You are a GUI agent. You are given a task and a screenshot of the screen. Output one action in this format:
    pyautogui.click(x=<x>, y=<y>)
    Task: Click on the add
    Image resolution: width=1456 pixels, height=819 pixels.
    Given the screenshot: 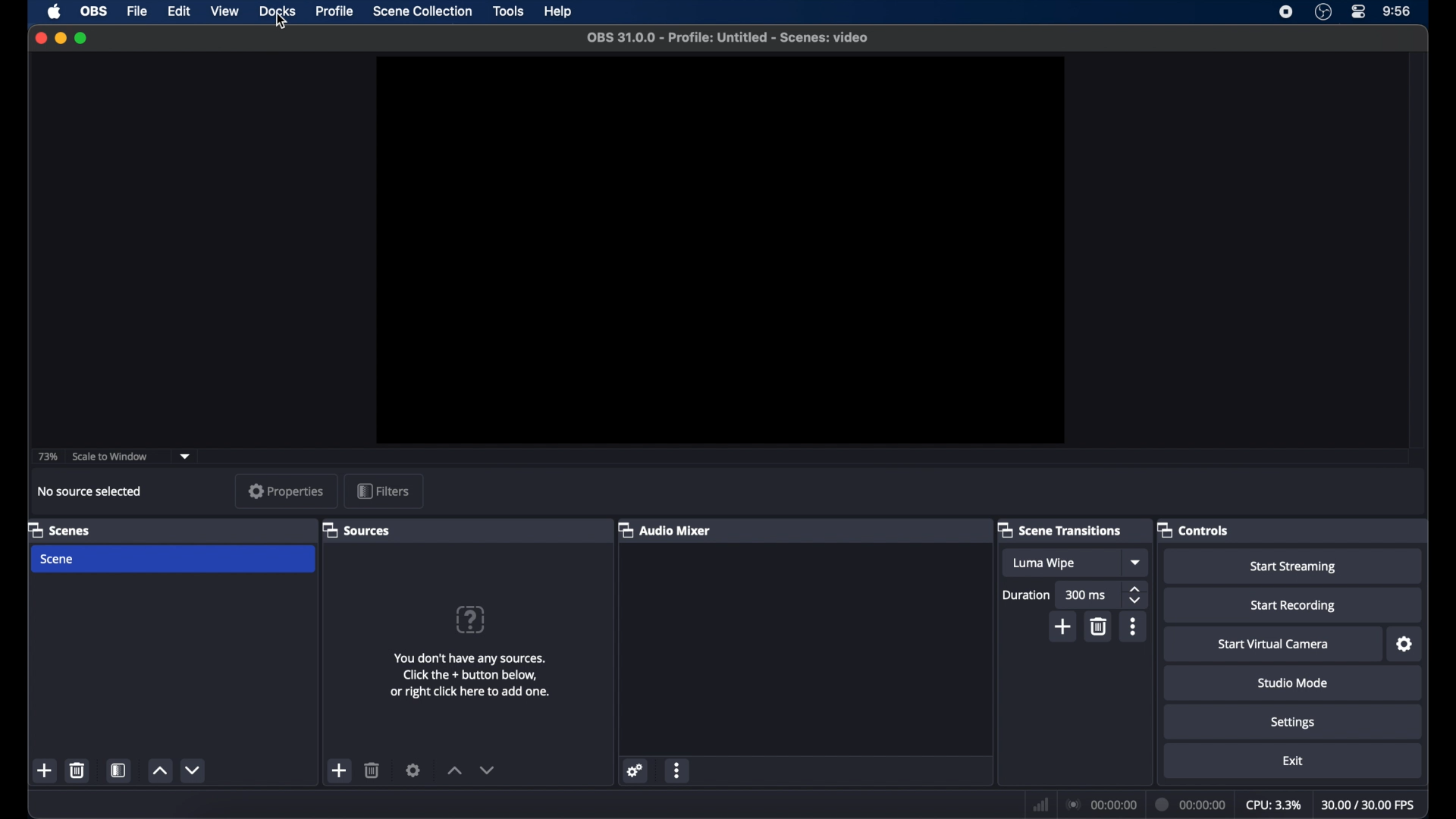 What is the action you would take?
    pyautogui.click(x=1063, y=626)
    